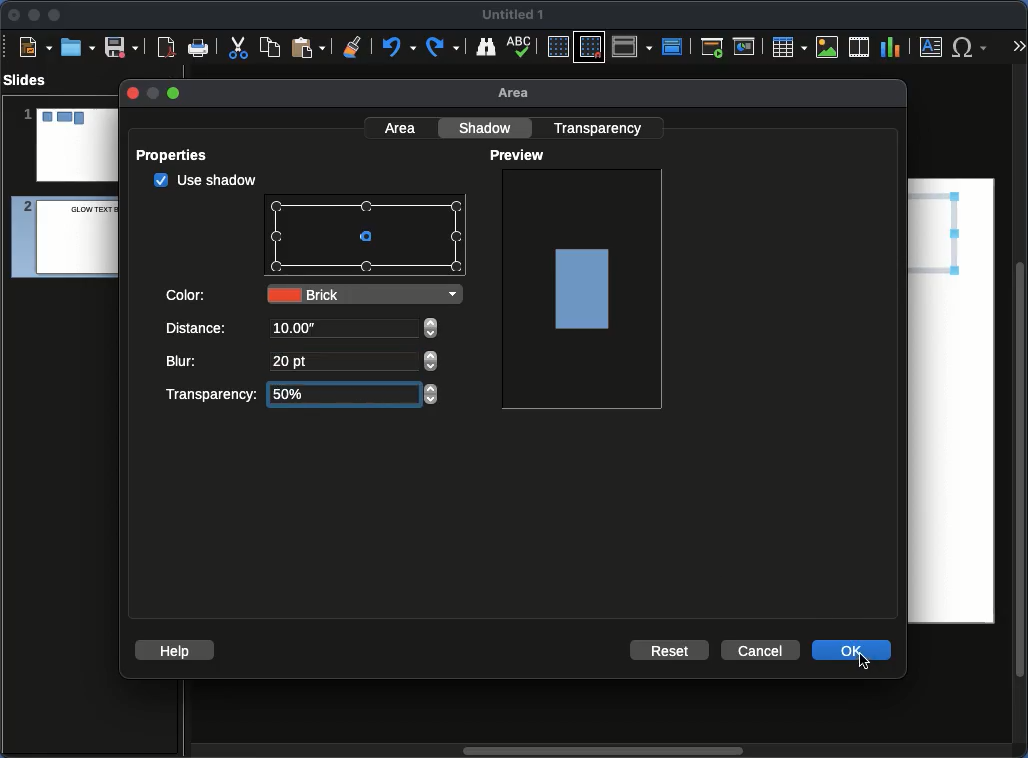 The width and height of the screenshot is (1028, 758). Describe the element at coordinates (15, 15) in the screenshot. I see `Close` at that location.